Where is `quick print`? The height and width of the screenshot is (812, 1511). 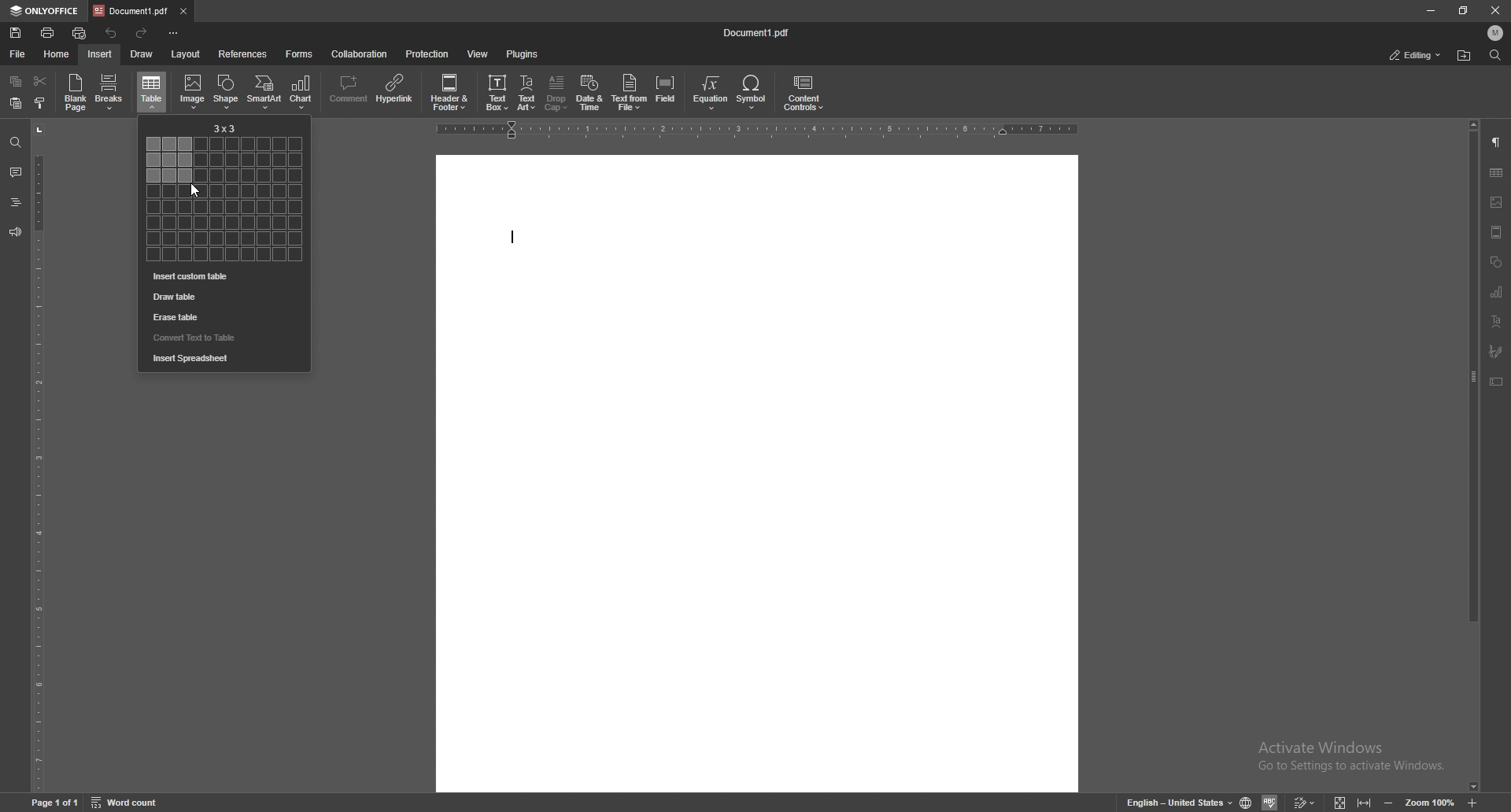 quick print is located at coordinates (79, 34).